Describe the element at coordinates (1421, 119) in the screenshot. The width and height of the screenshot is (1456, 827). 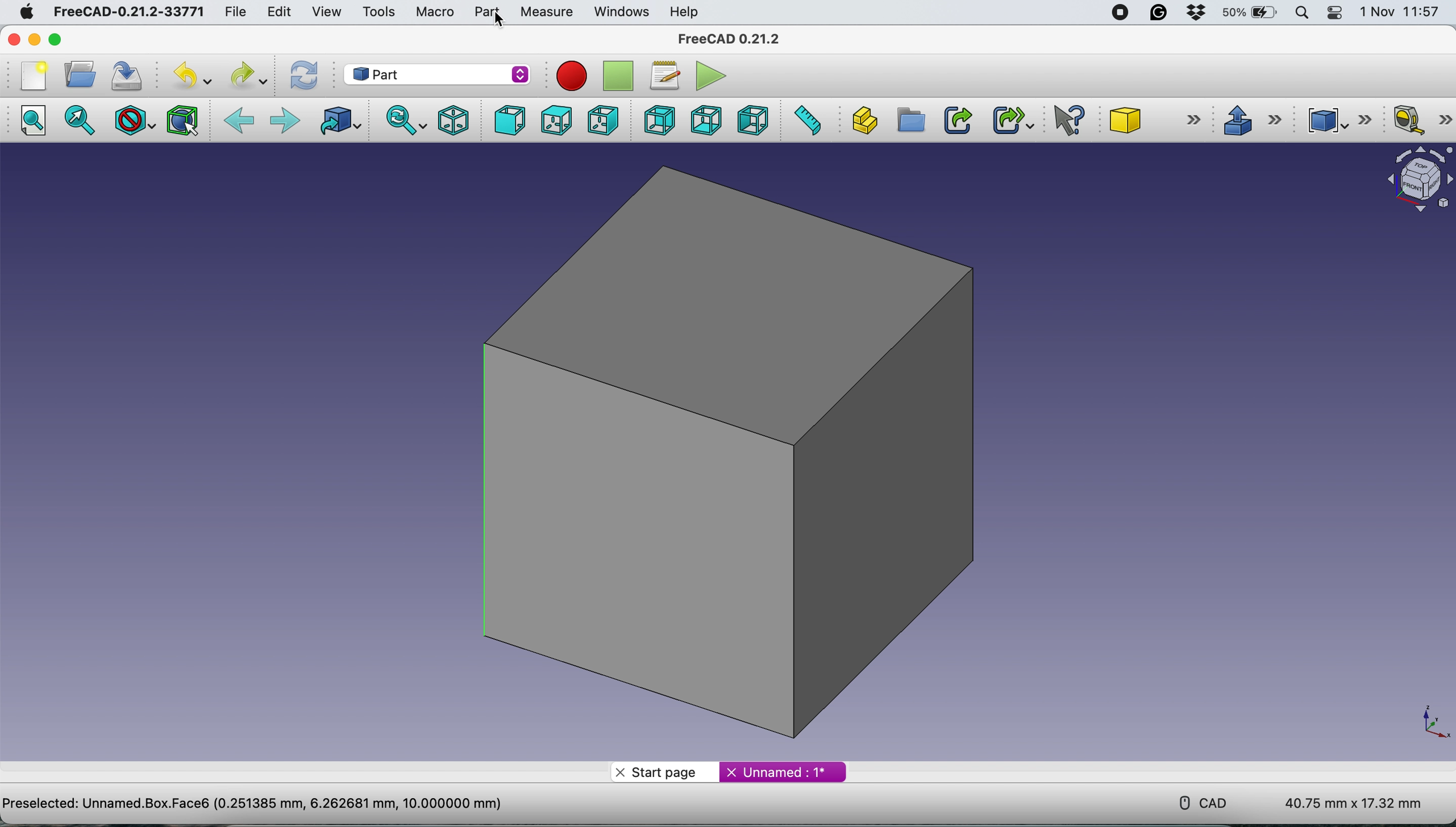
I see `mesure linear` at that location.